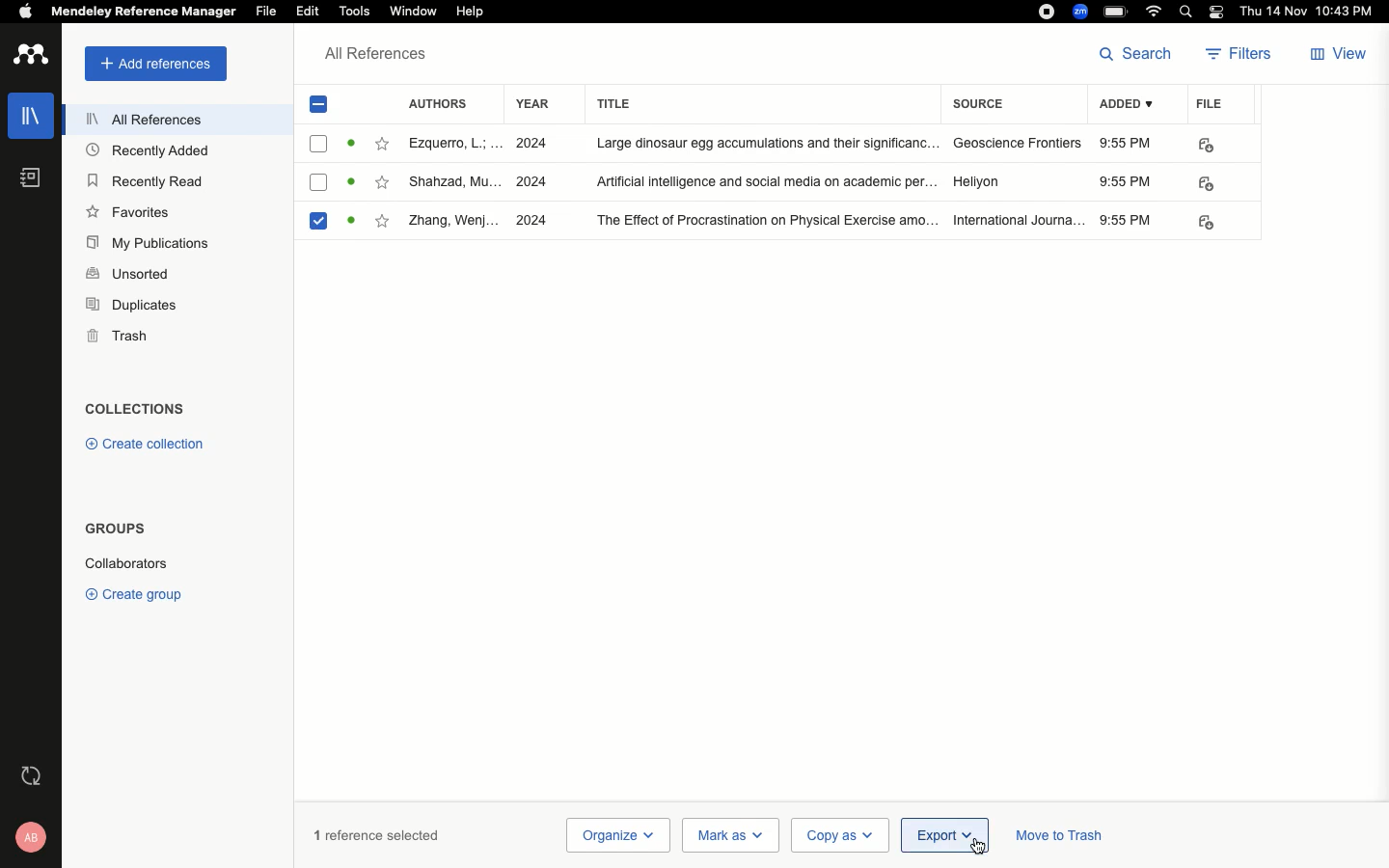  I want to click on 9:55 PM, so click(1128, 144).